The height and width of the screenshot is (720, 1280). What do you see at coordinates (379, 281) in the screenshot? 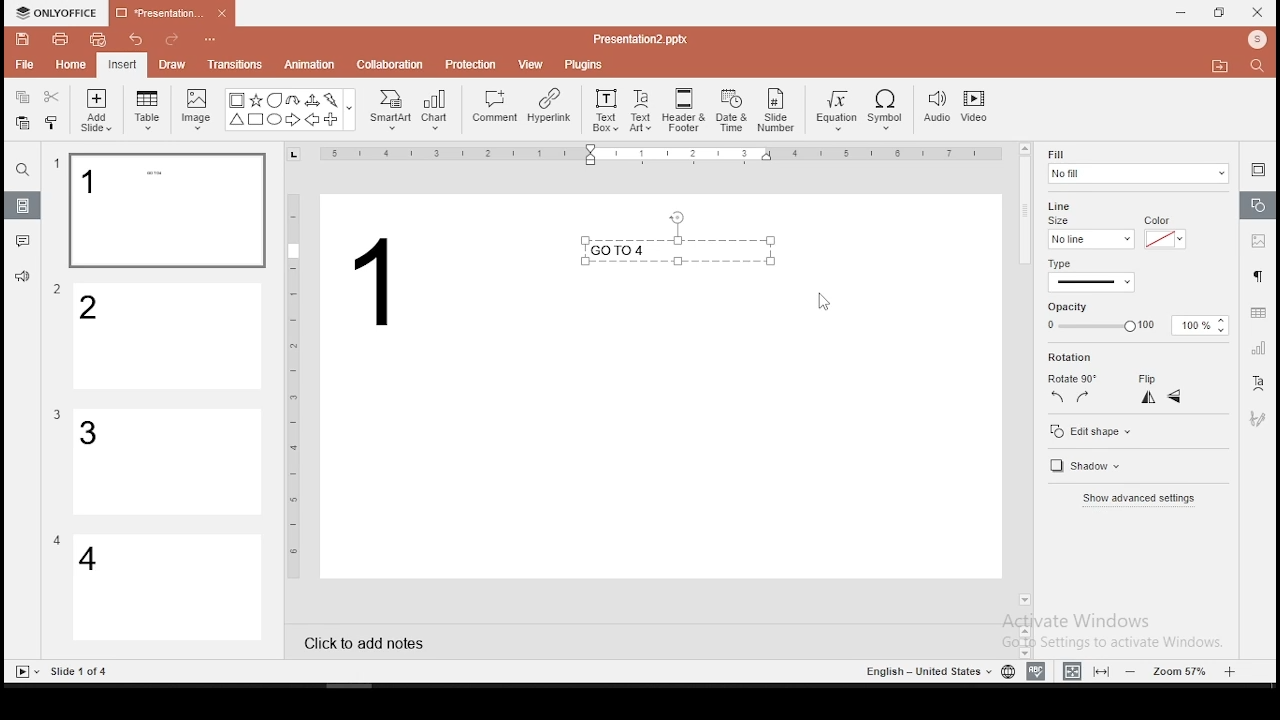
I see `` at bounding box center [379, 281].